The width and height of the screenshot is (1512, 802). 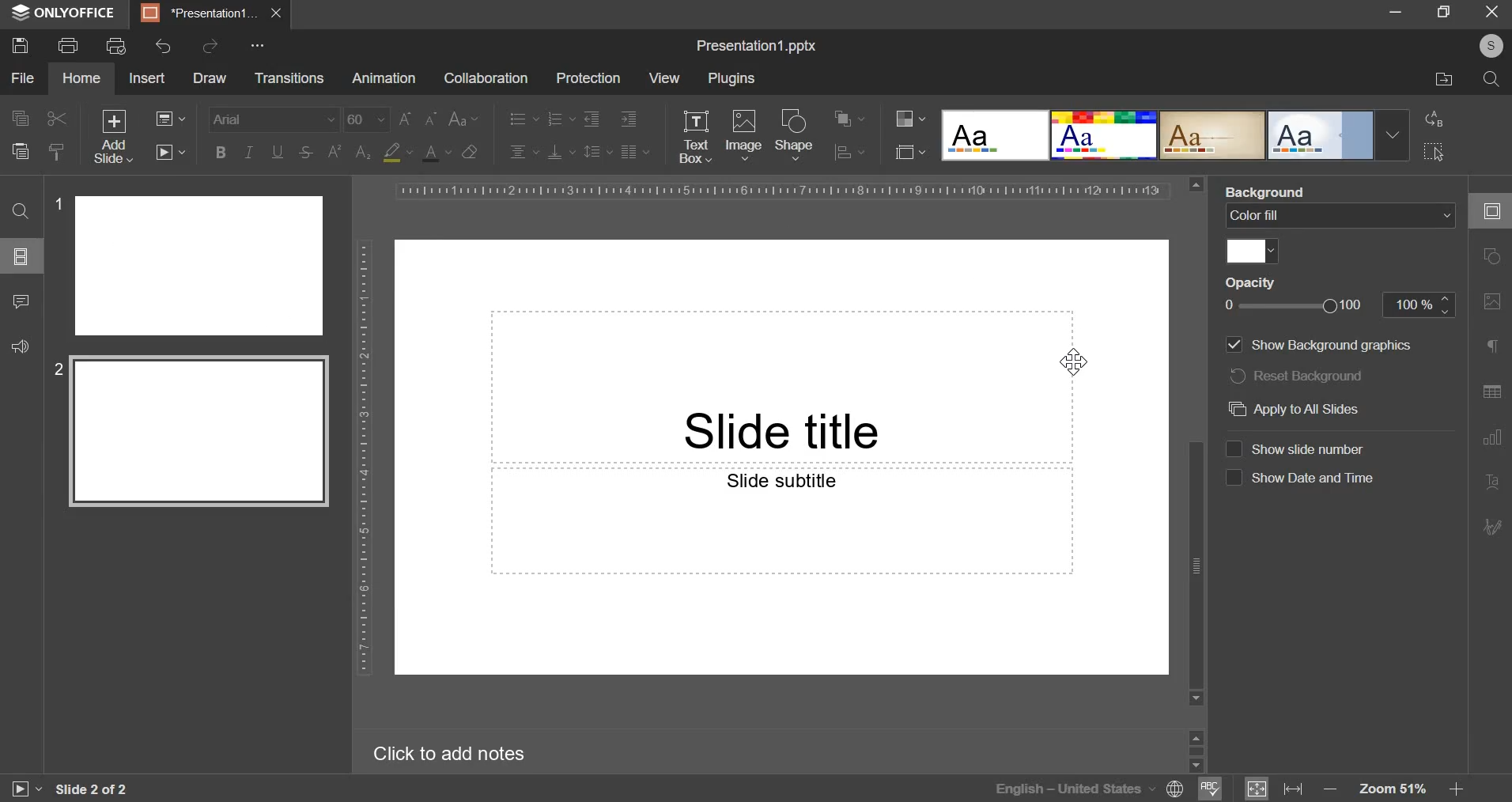 I want to click on slide 1 of 1, so click(x=89, y=789).